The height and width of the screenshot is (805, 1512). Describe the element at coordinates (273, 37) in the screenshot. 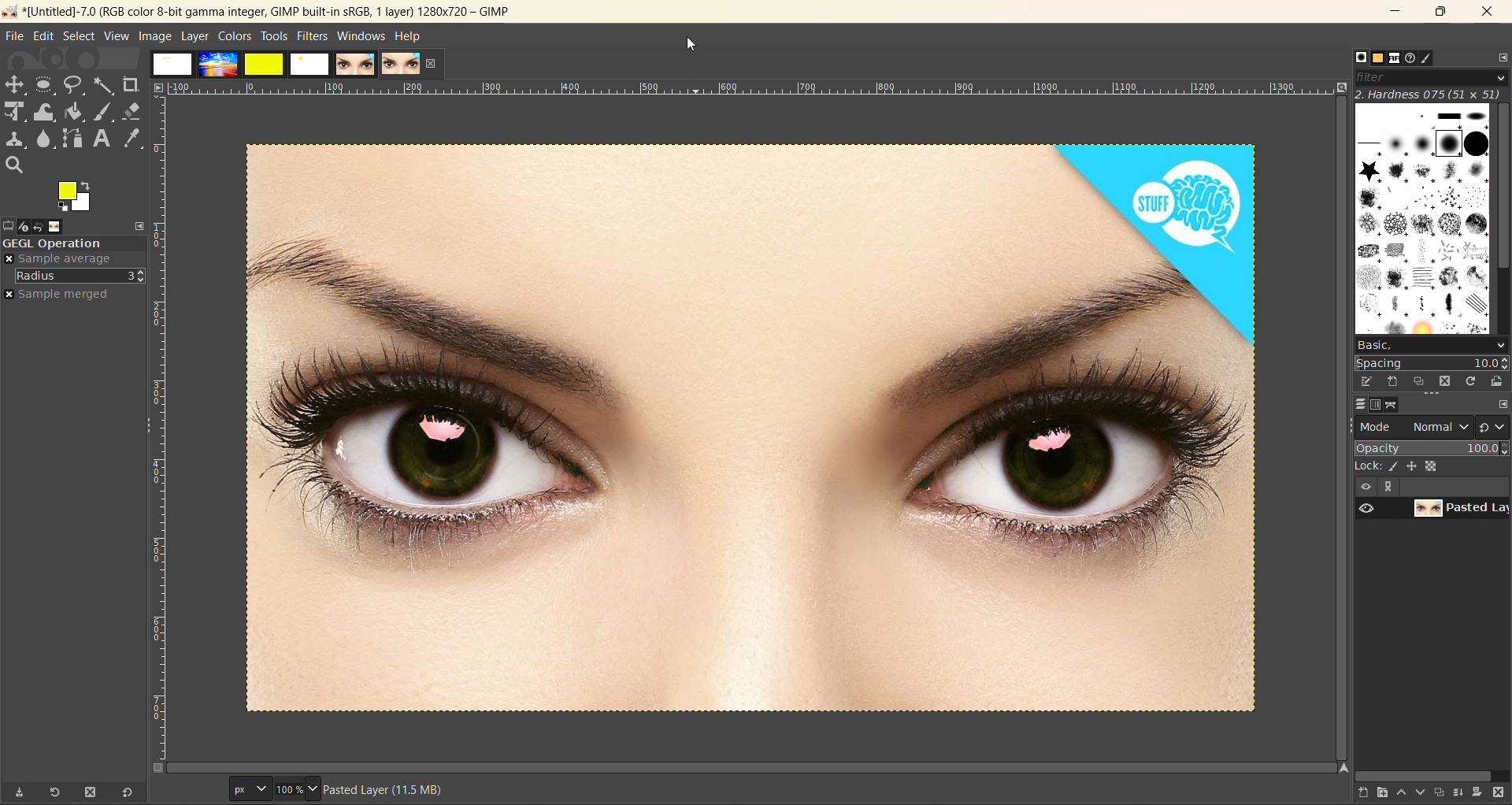

I see `tools` at that location.